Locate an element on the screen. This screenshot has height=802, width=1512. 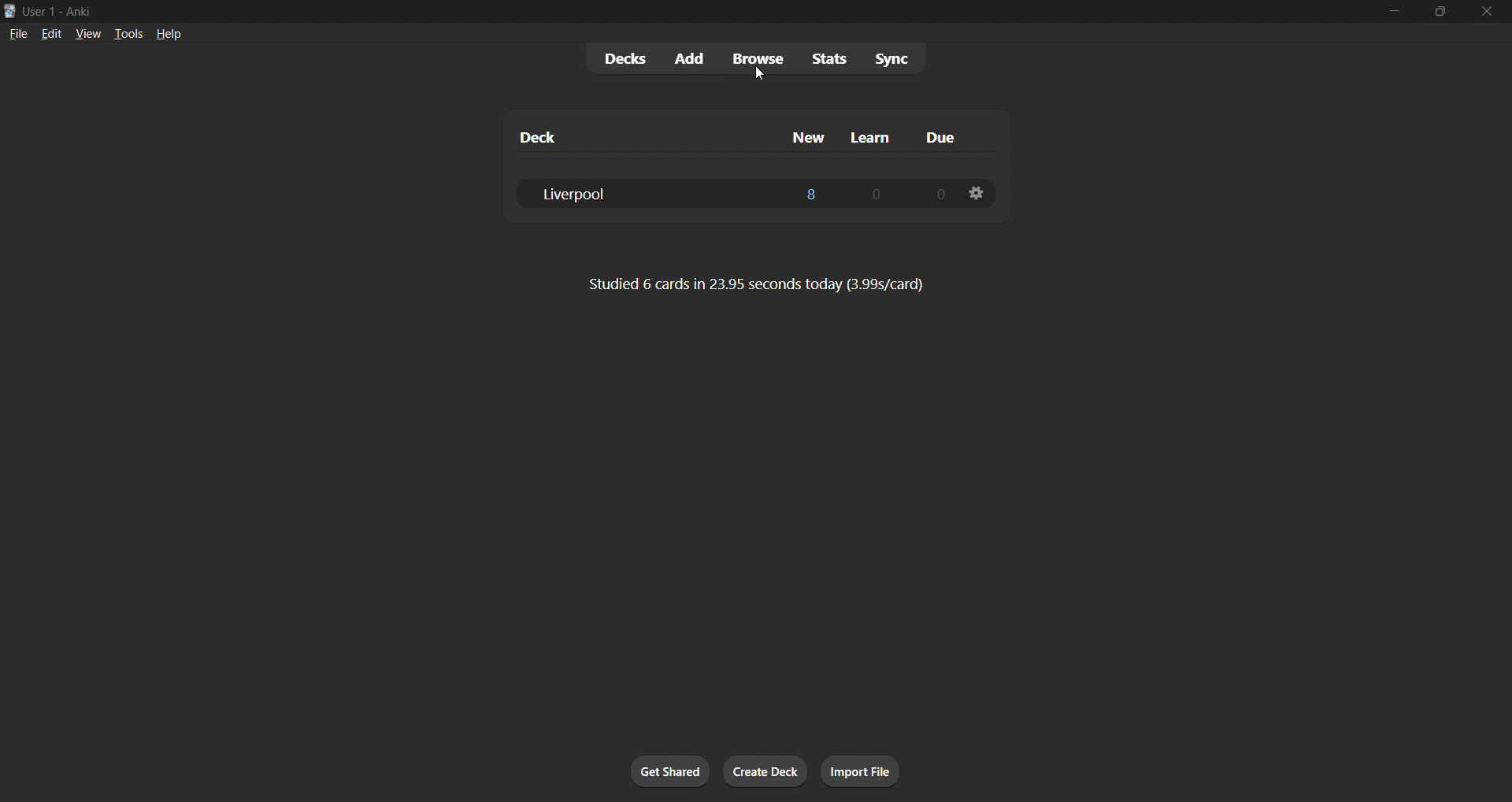
8 is located at coordinates (807, 196).